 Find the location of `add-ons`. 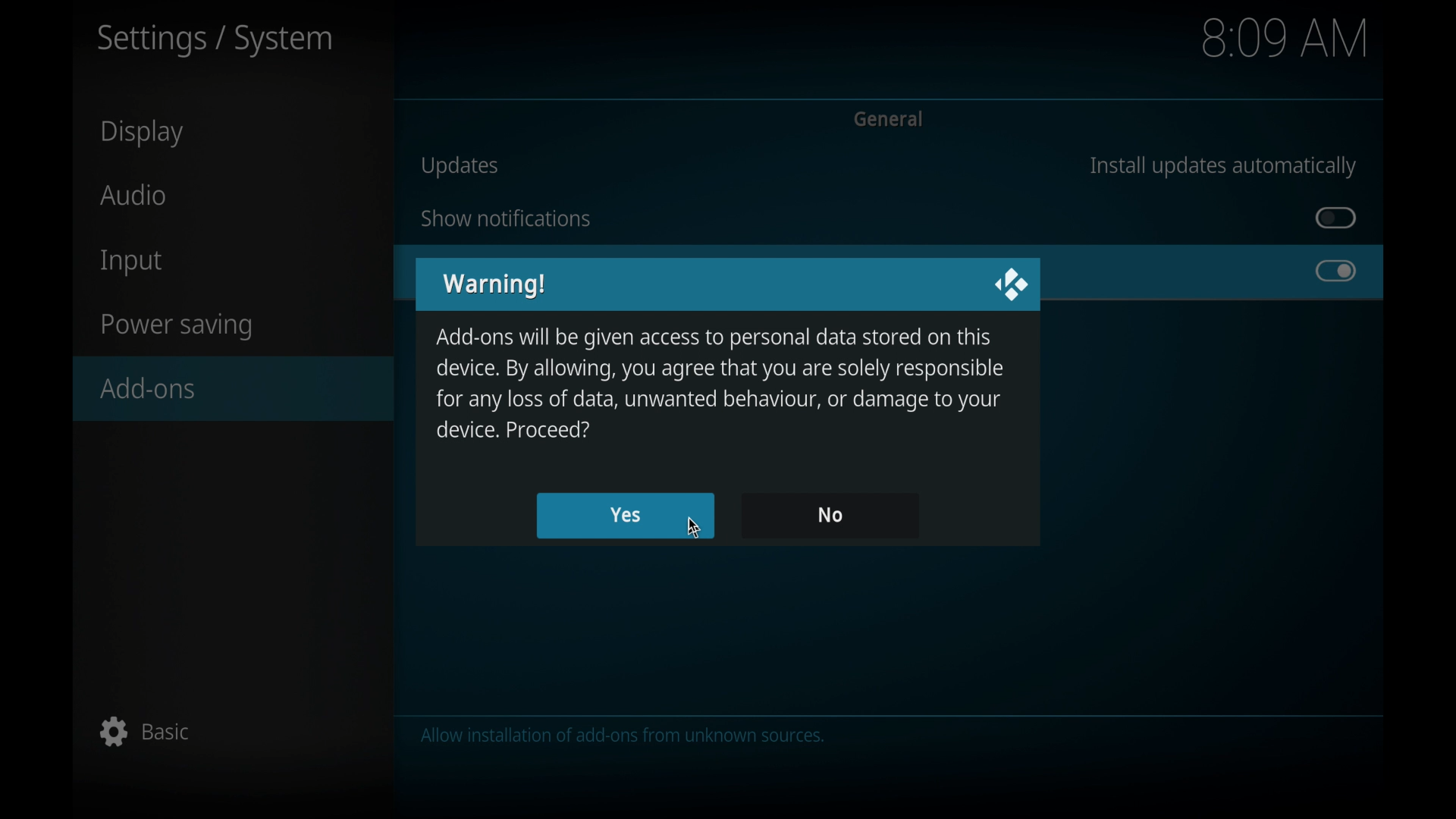

add-ons is located at coordinates (235, 388).